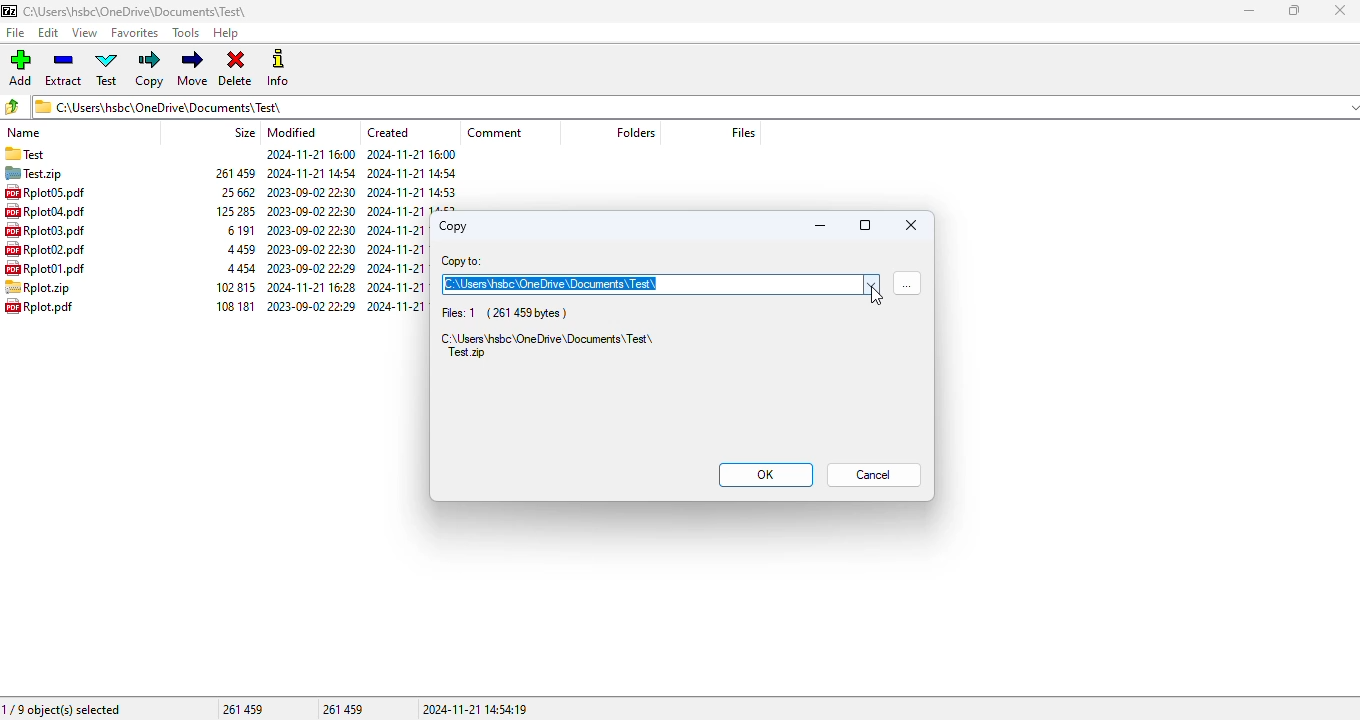 This screenshot has height=720, width=1360. I want to click on OK, so click(766, 475).